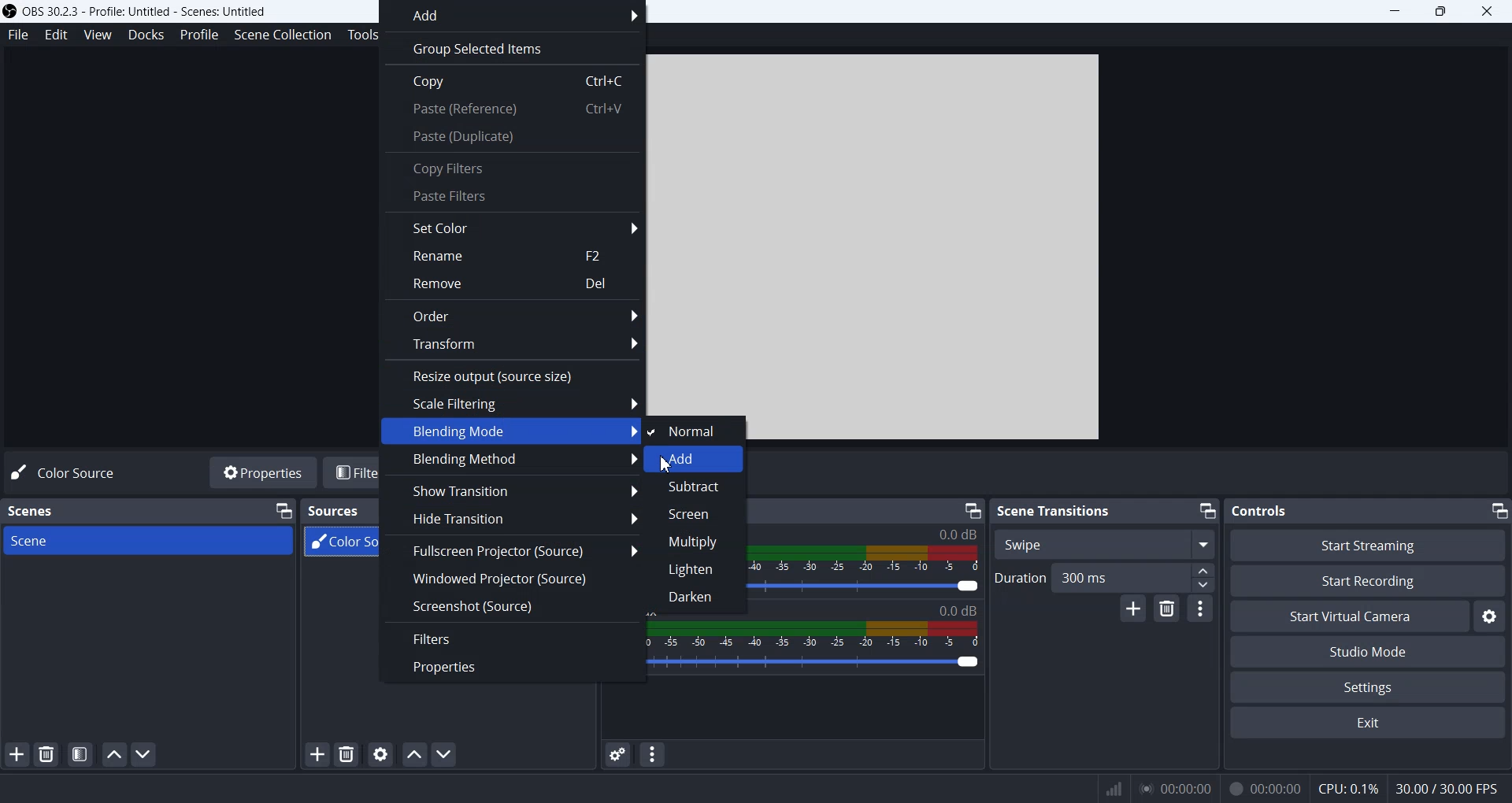 Image resolution: width=1512 pixels, height=803 pixels. What do you see at coordinates (511, 196) in the screenshot?
I see `Paste Filters` at bounding box center [511, 196].